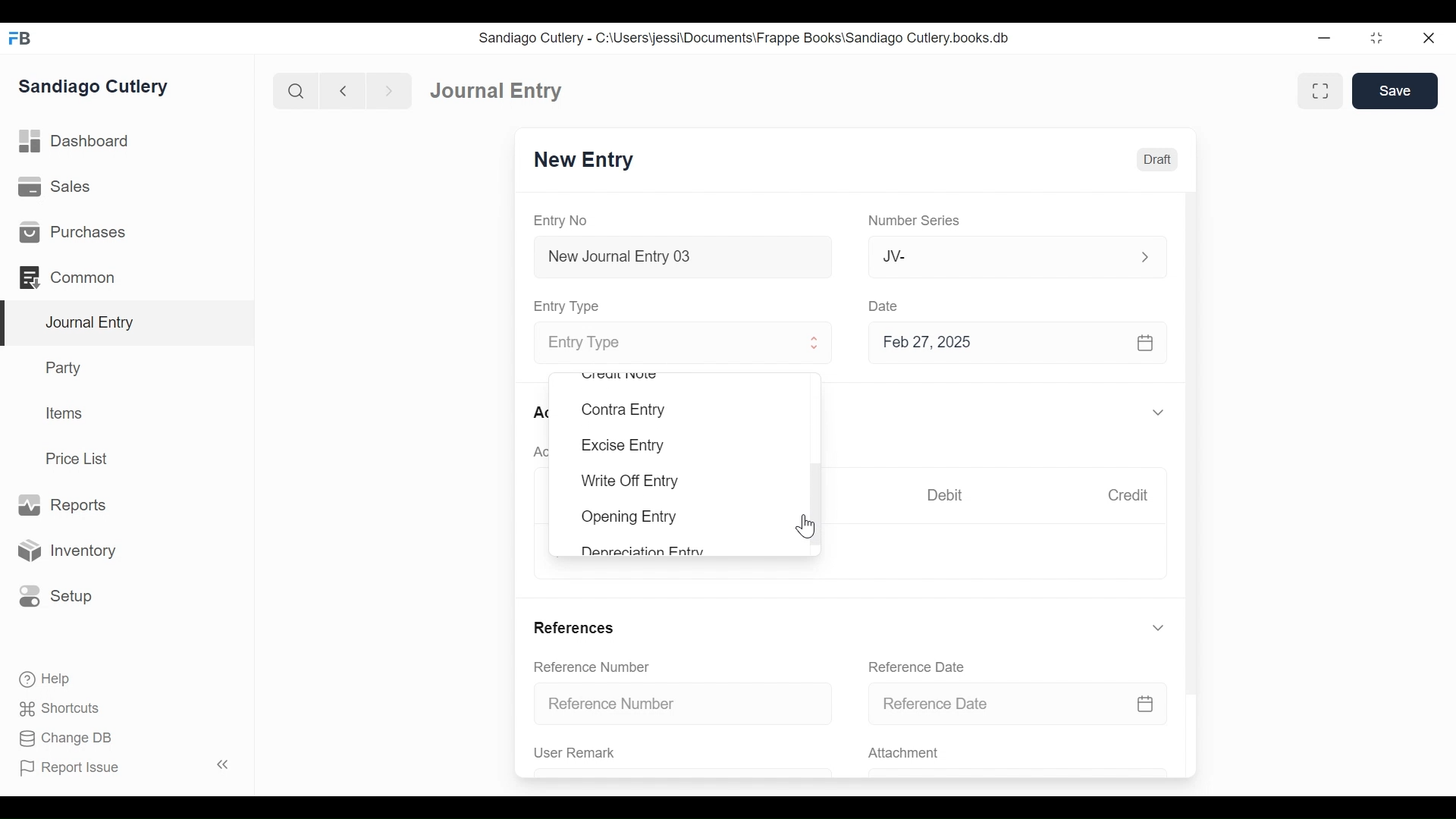  Describe the element at coordinates (592, 667) in the screenshot. I see `Reference Number` at that location.